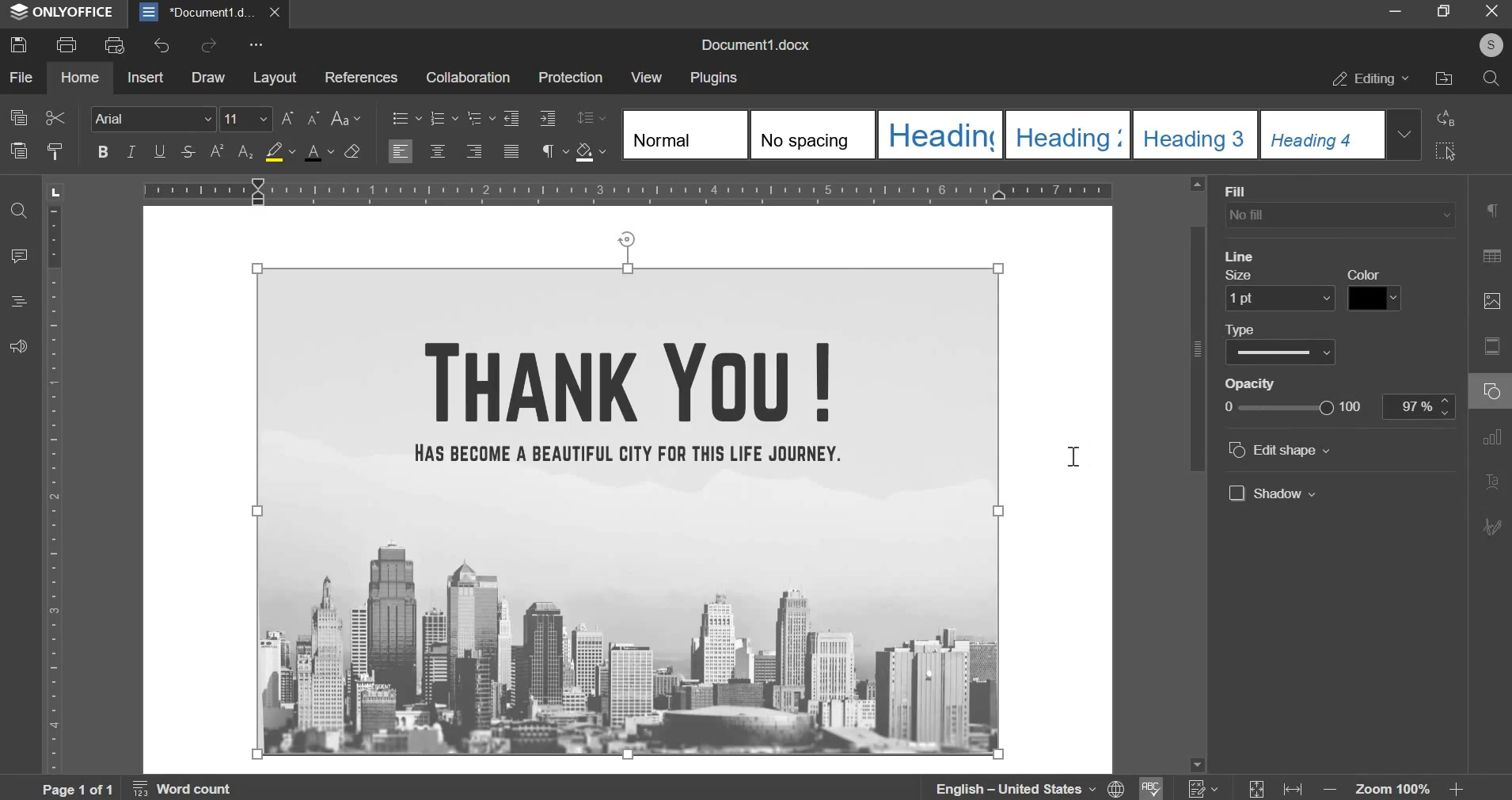  I want to click on subscript, so click(247, 151).